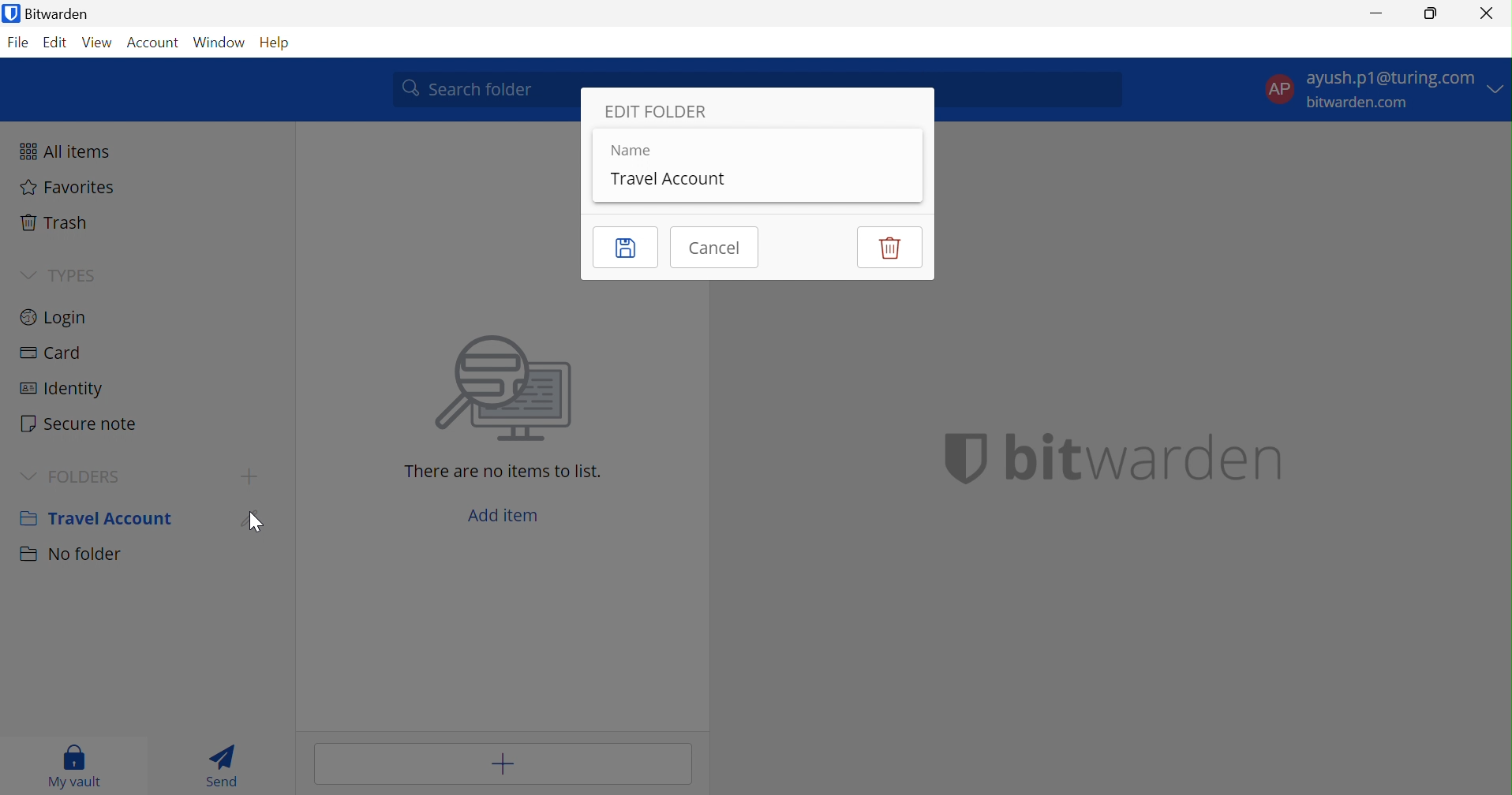  Describe the element at coordinates (1142, 457) in the screenshot. I see `bitwarden` at that location.